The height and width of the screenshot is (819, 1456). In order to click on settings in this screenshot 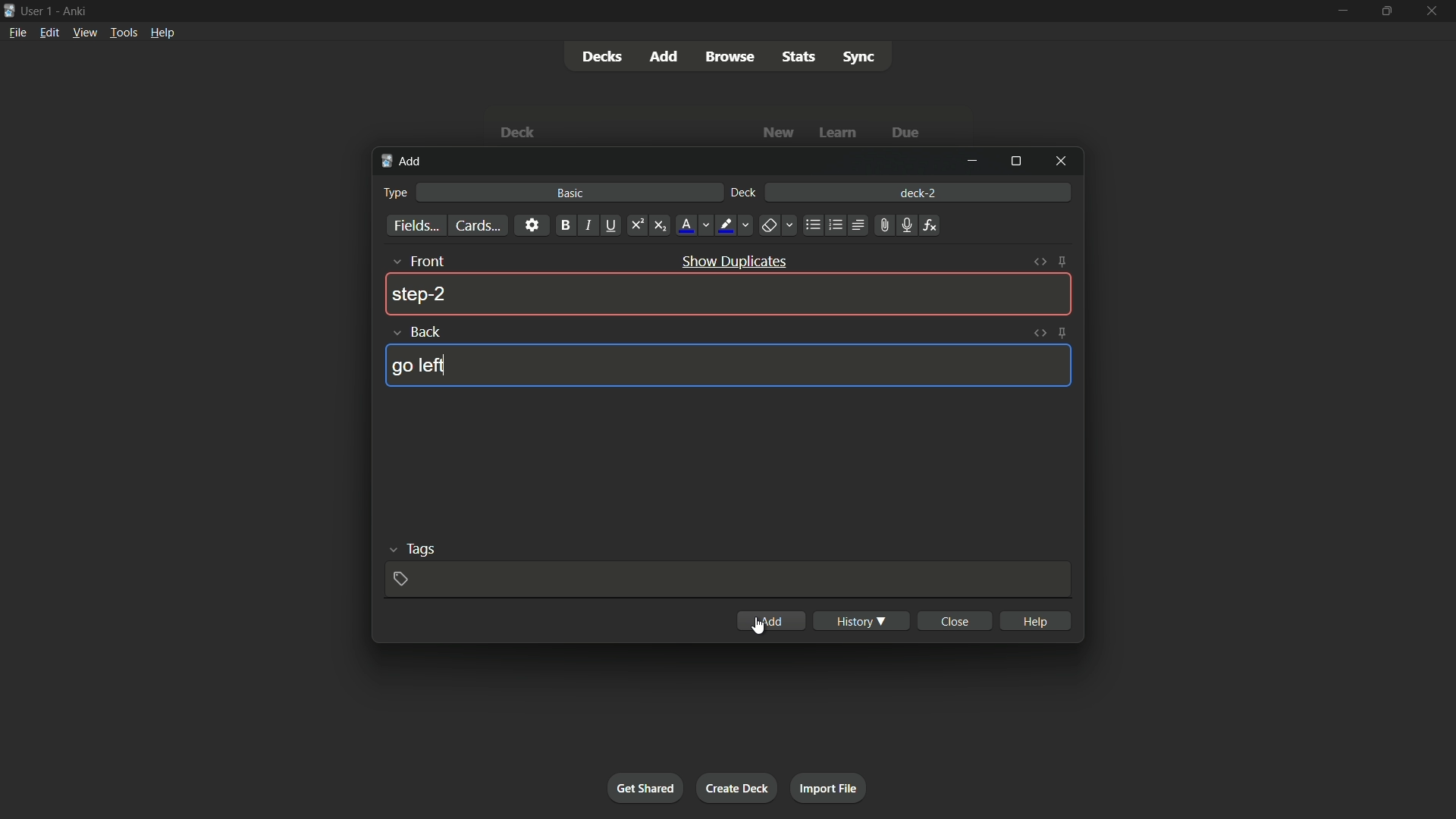, I will do `click(532, 226)`.